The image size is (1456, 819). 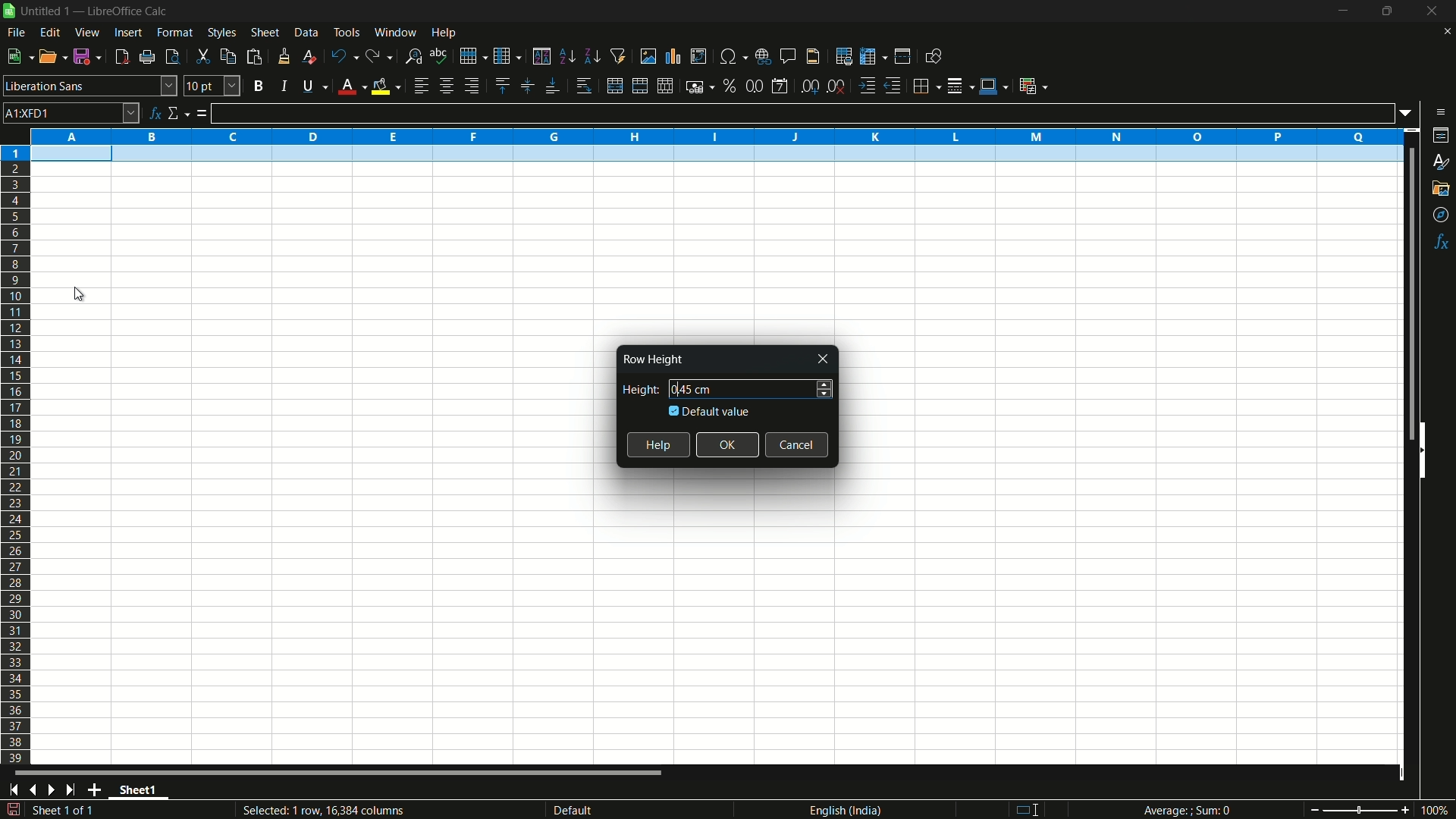 What do you see at coordinates (380, 57) in the screenshot?
I see `redo` at bounding box center [380, 57].